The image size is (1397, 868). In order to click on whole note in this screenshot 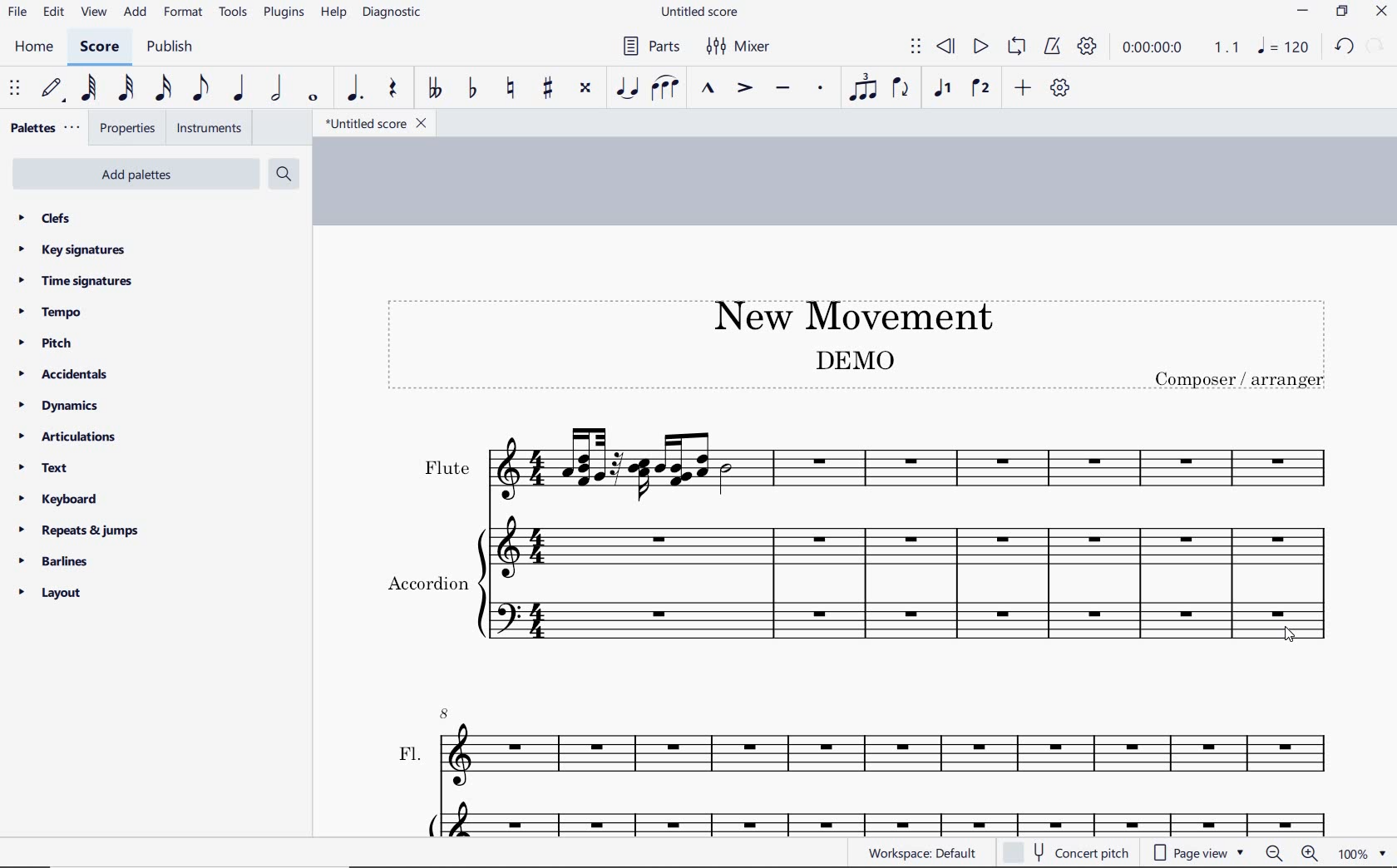, I will do `click(314, 97)`.